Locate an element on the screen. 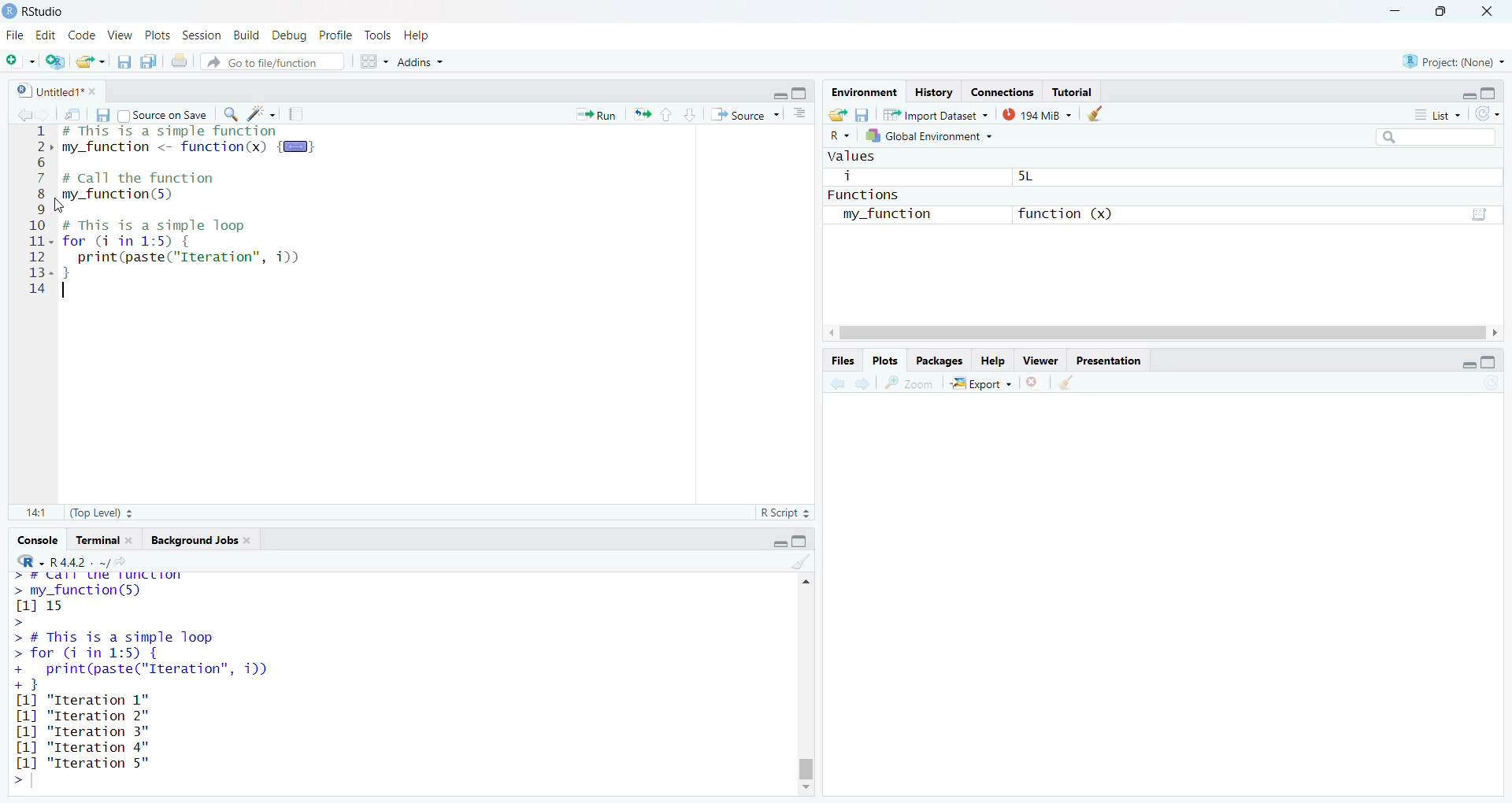 The height and width of the screenshot is (803, 1512). go to previous section/chunk is located at coordinates (669, 113).